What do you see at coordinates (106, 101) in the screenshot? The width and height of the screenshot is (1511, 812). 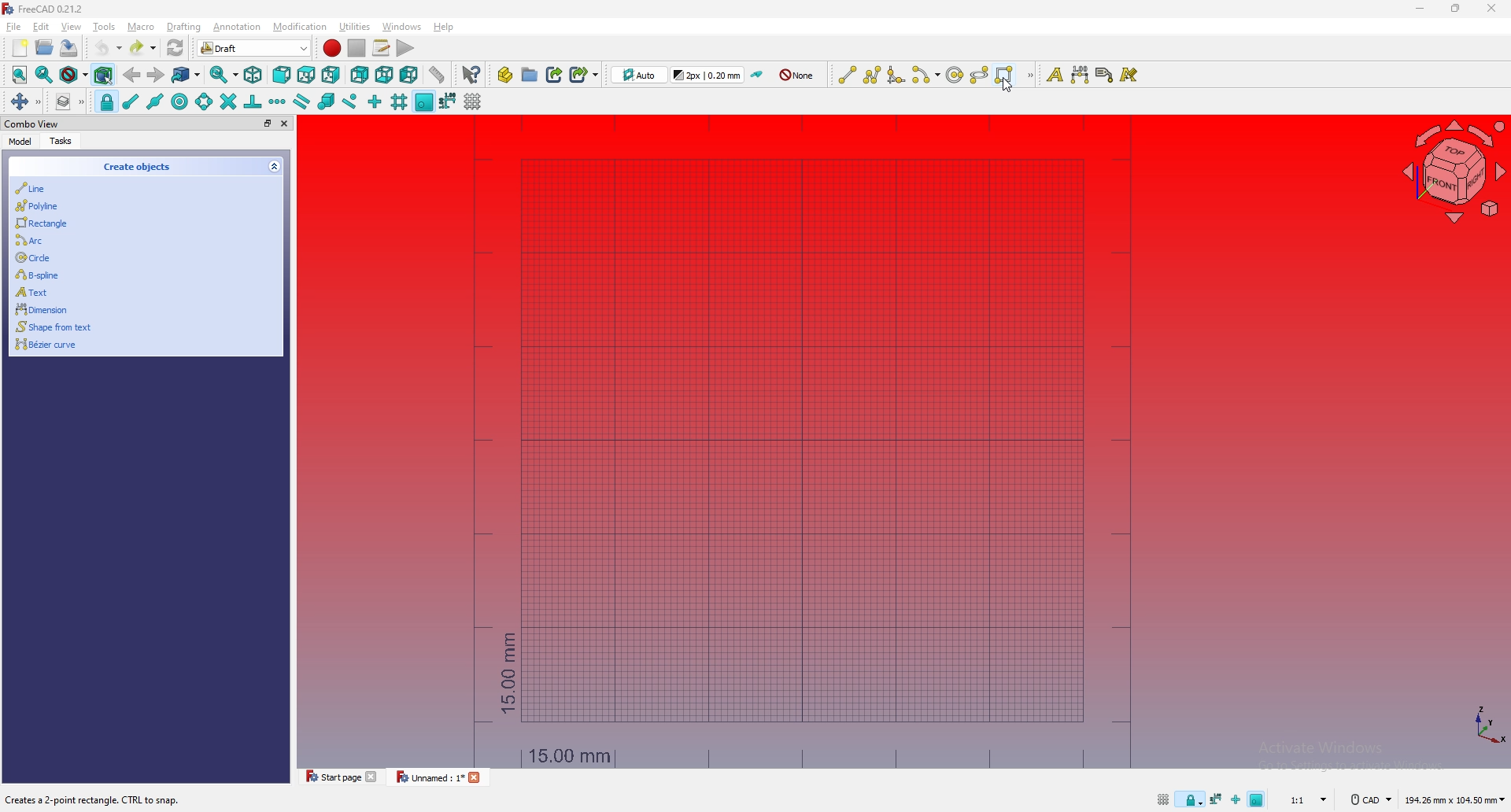 I see `snap lock` at bounding box center [106, 101].